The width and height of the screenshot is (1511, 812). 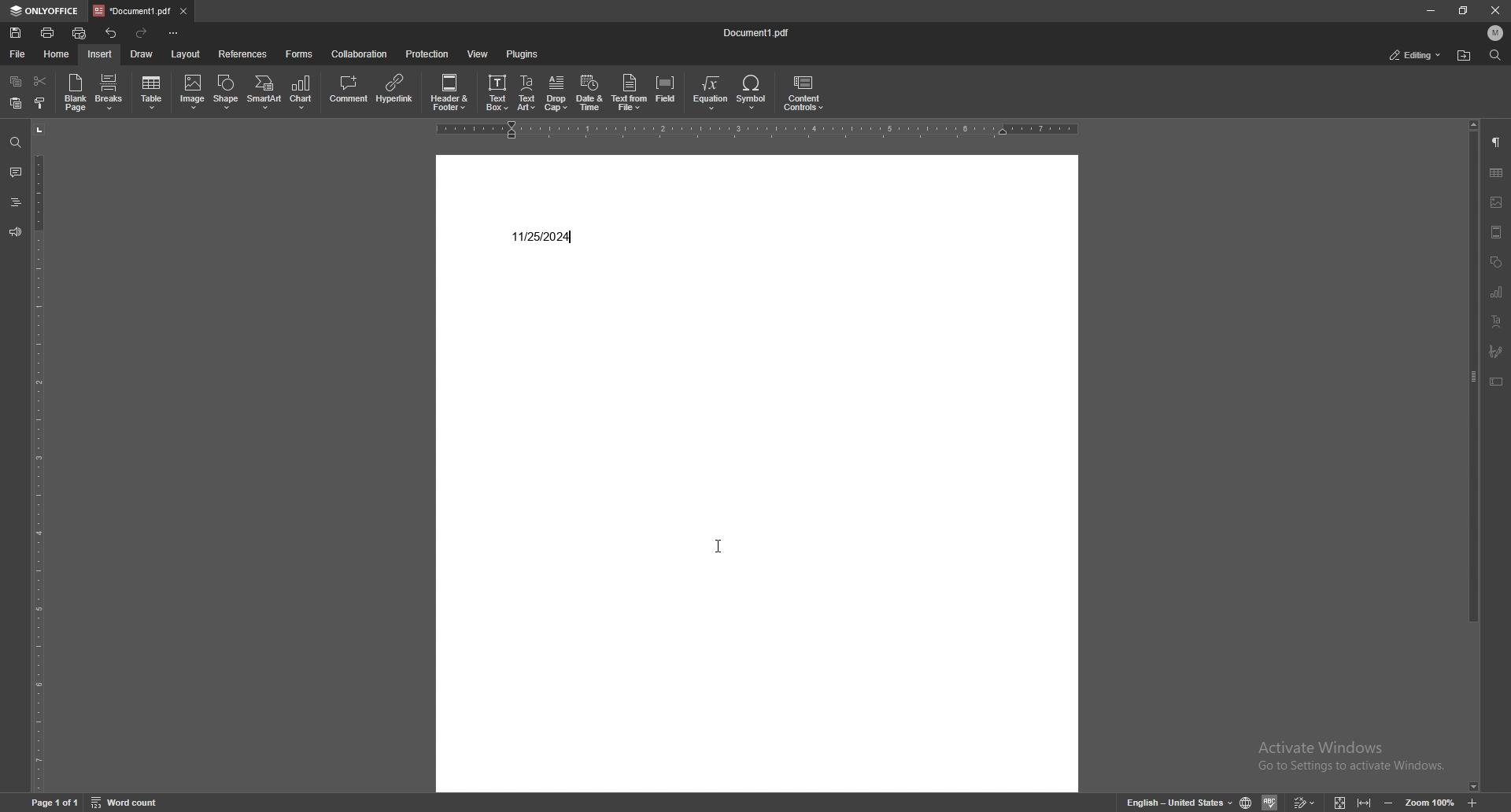 What do you see at coordinates (359, 54) in the screenshot?
I see `collaboration` at bounding box center [359, 54].